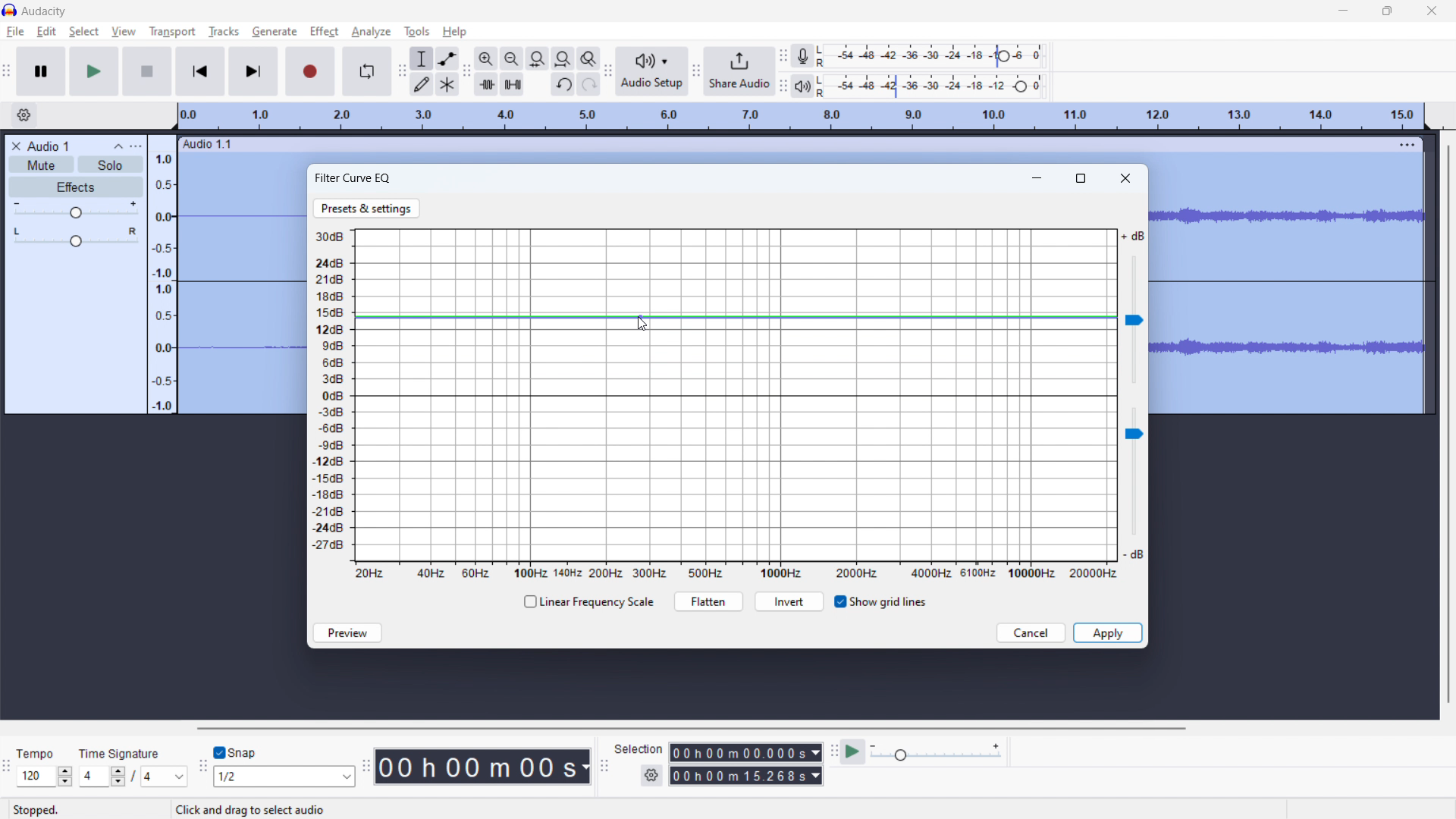  What do you see at coordinates (485, 766) in the screenshot?
I see `00h 00 m 00 s (timestamp)` at bounding box center [485, 766].